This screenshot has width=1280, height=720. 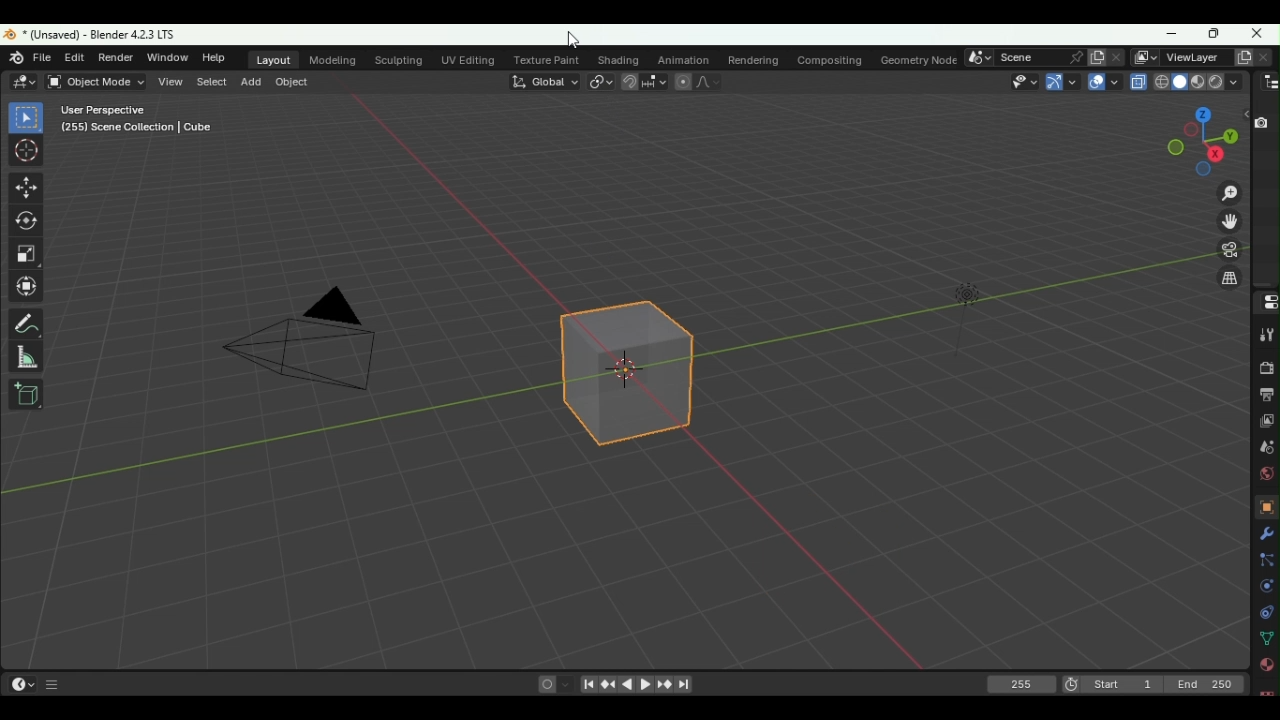 What do you see at coordinates (1072, 57) in the screenshot?
I see `Pin scene to workspace` at bounding box center [1072, 57].